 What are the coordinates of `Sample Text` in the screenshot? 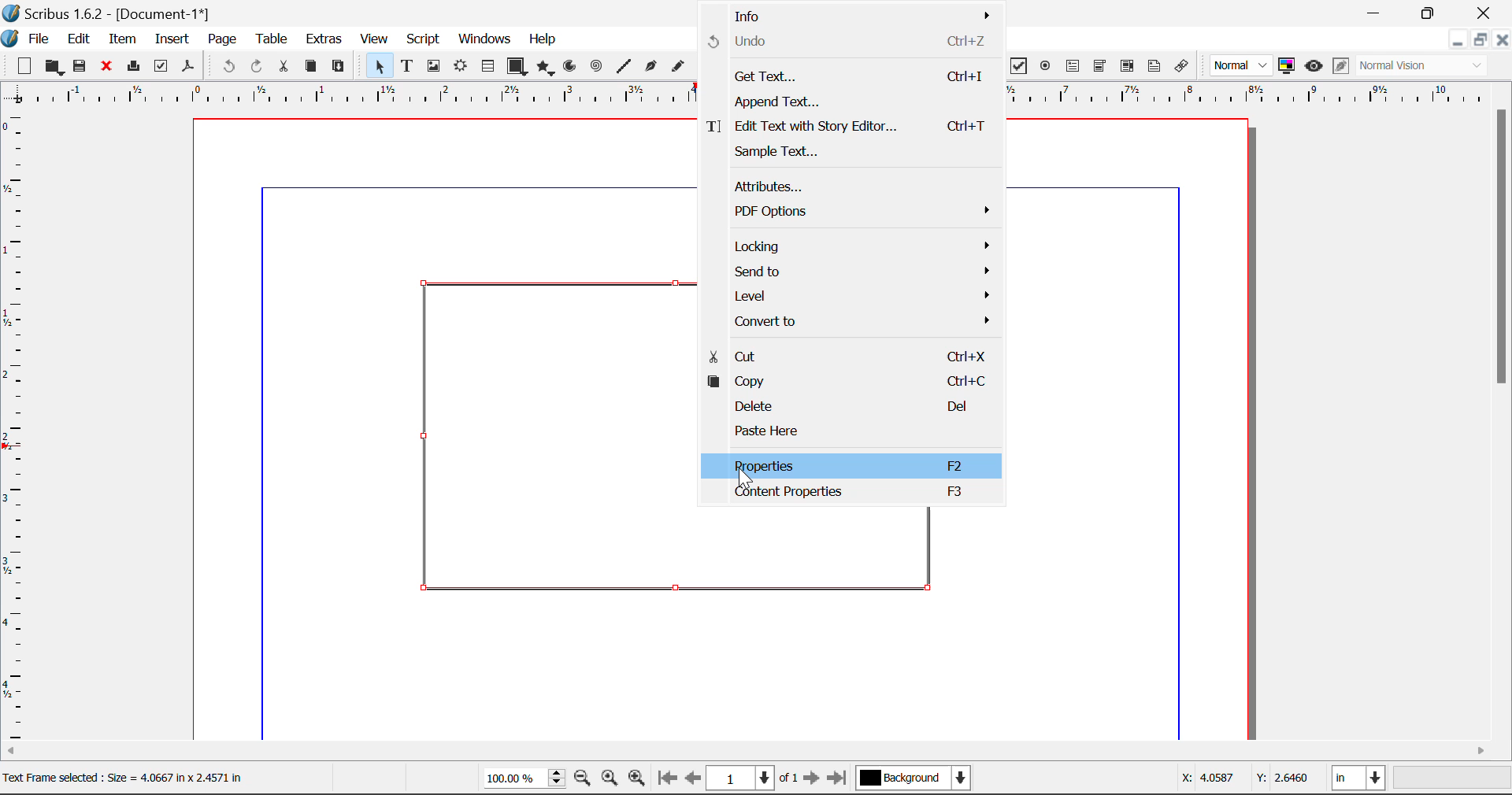 It's located at (850, 151).